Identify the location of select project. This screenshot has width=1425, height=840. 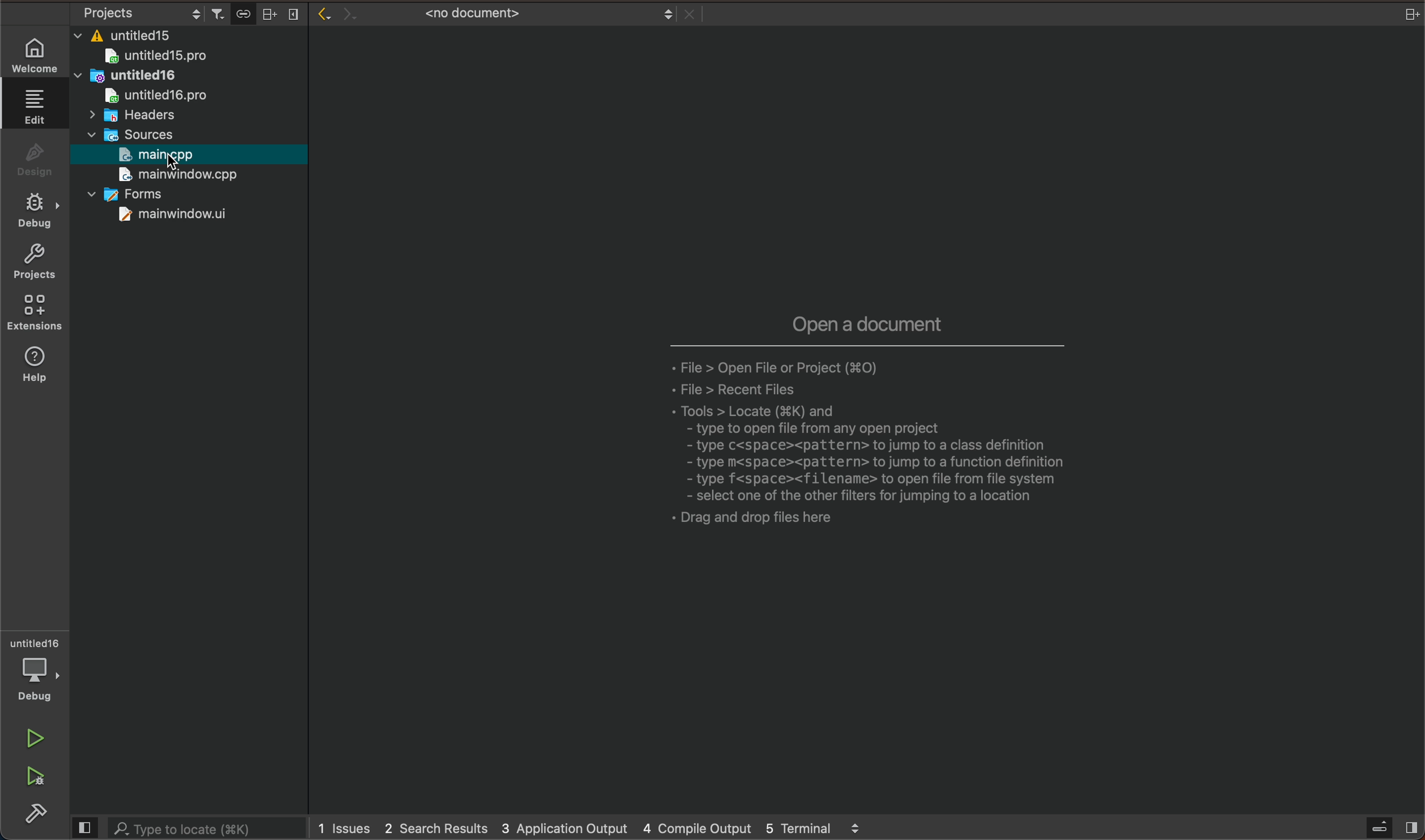
(138, 14).